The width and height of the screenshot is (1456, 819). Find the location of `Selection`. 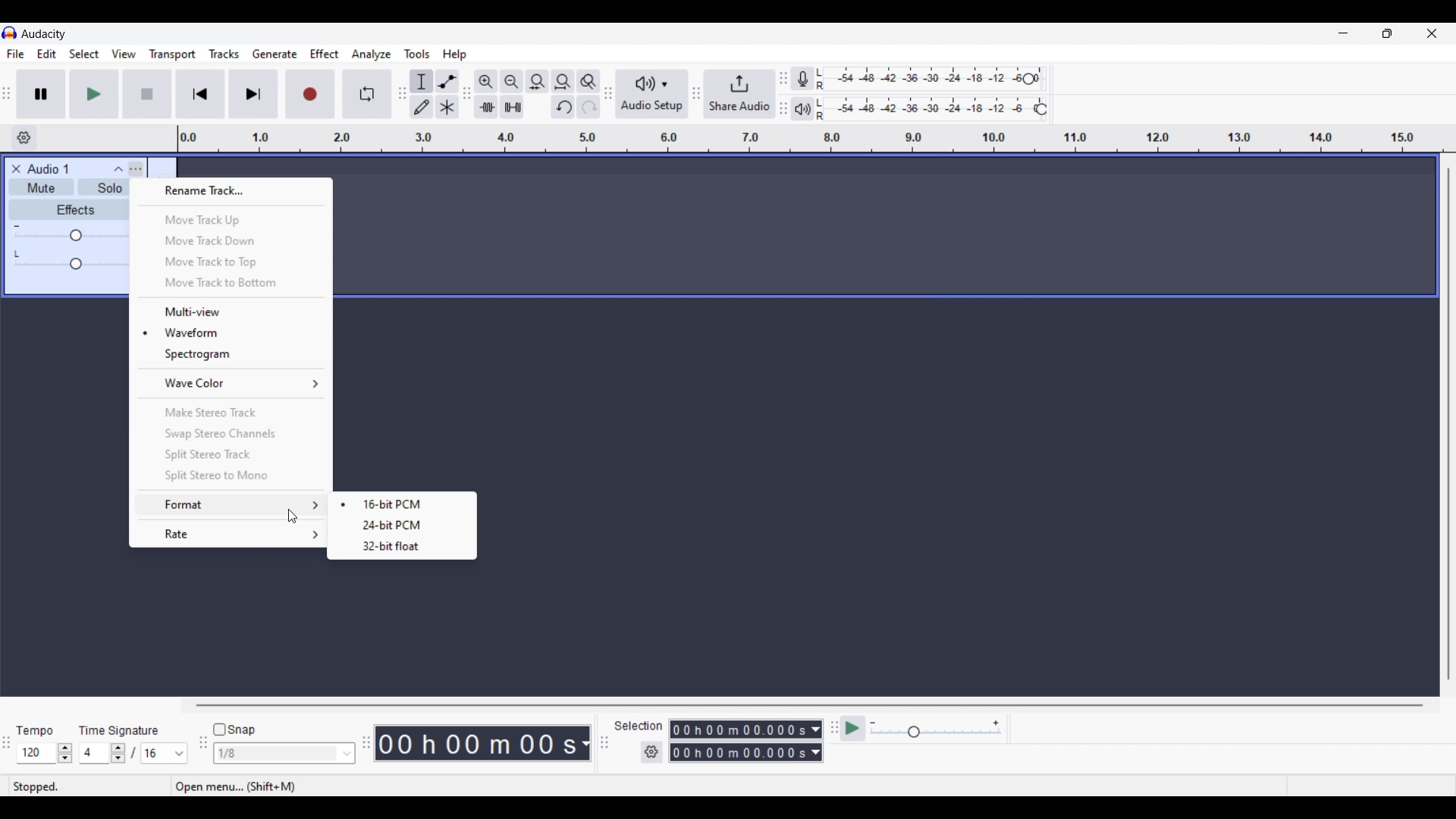

Selection is located at coordinates (637, 726).